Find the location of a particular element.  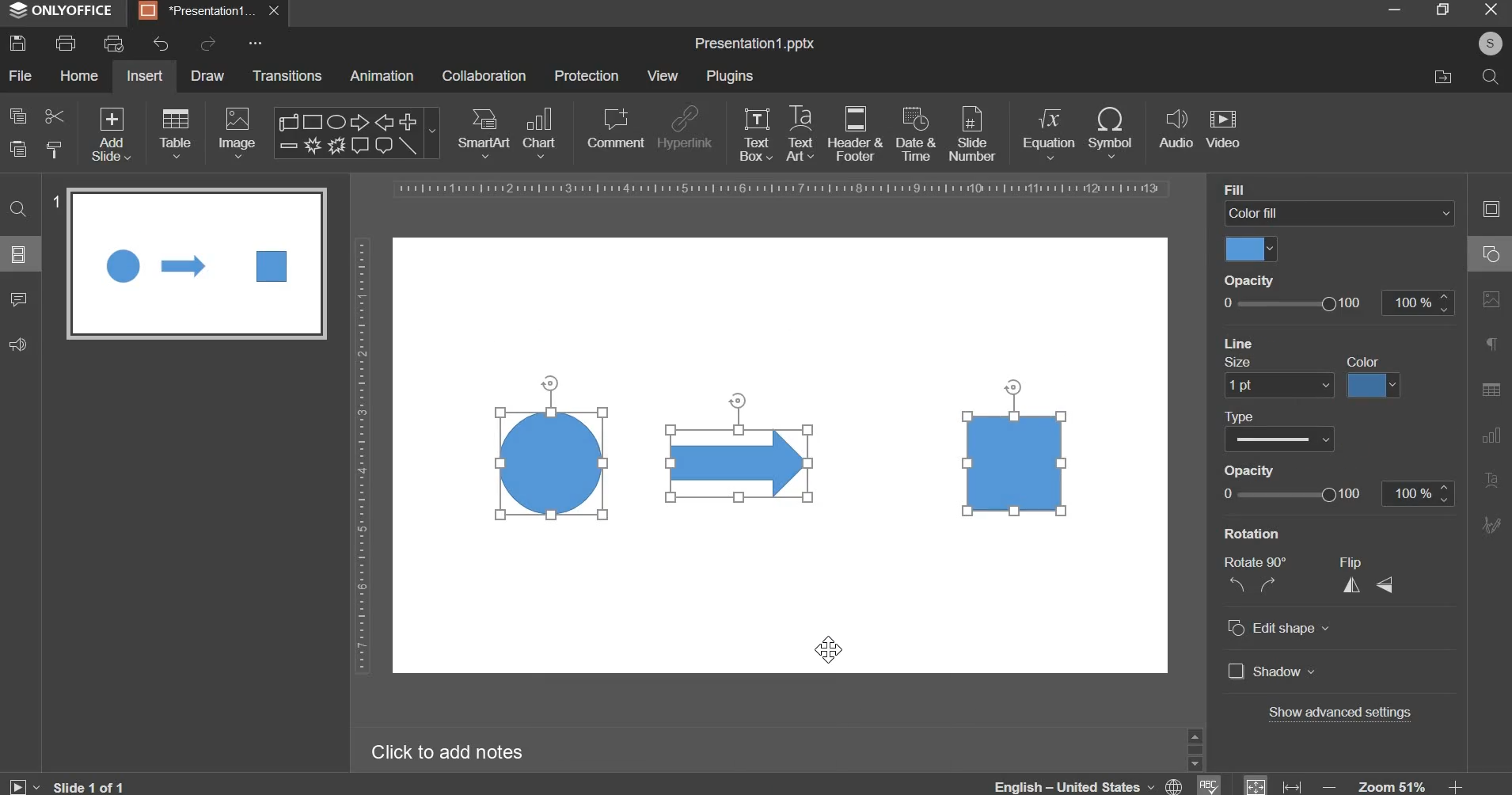

language is located at coordinates (1207, 784).